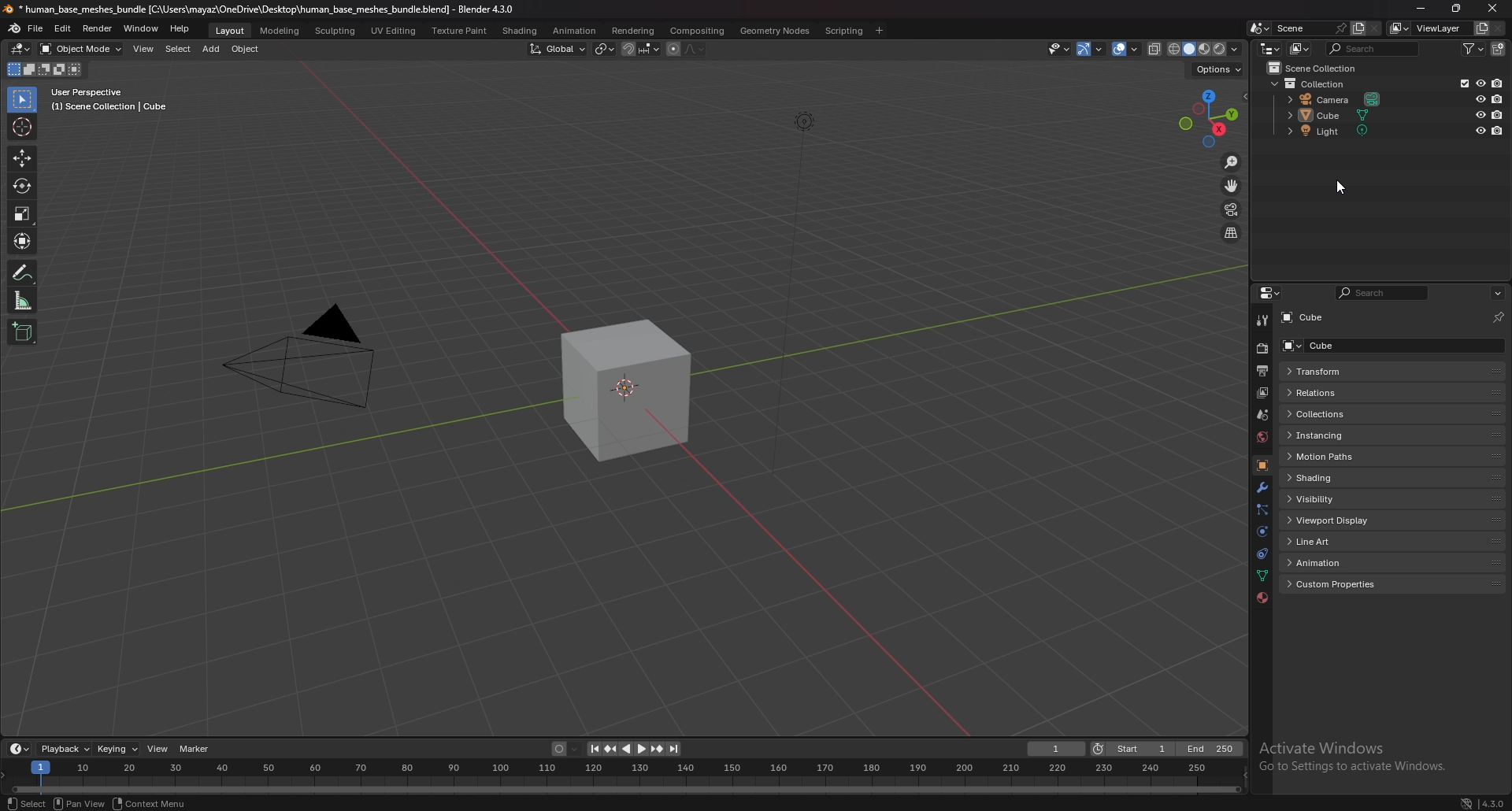  I want to click on cube, so click(1340, 345).